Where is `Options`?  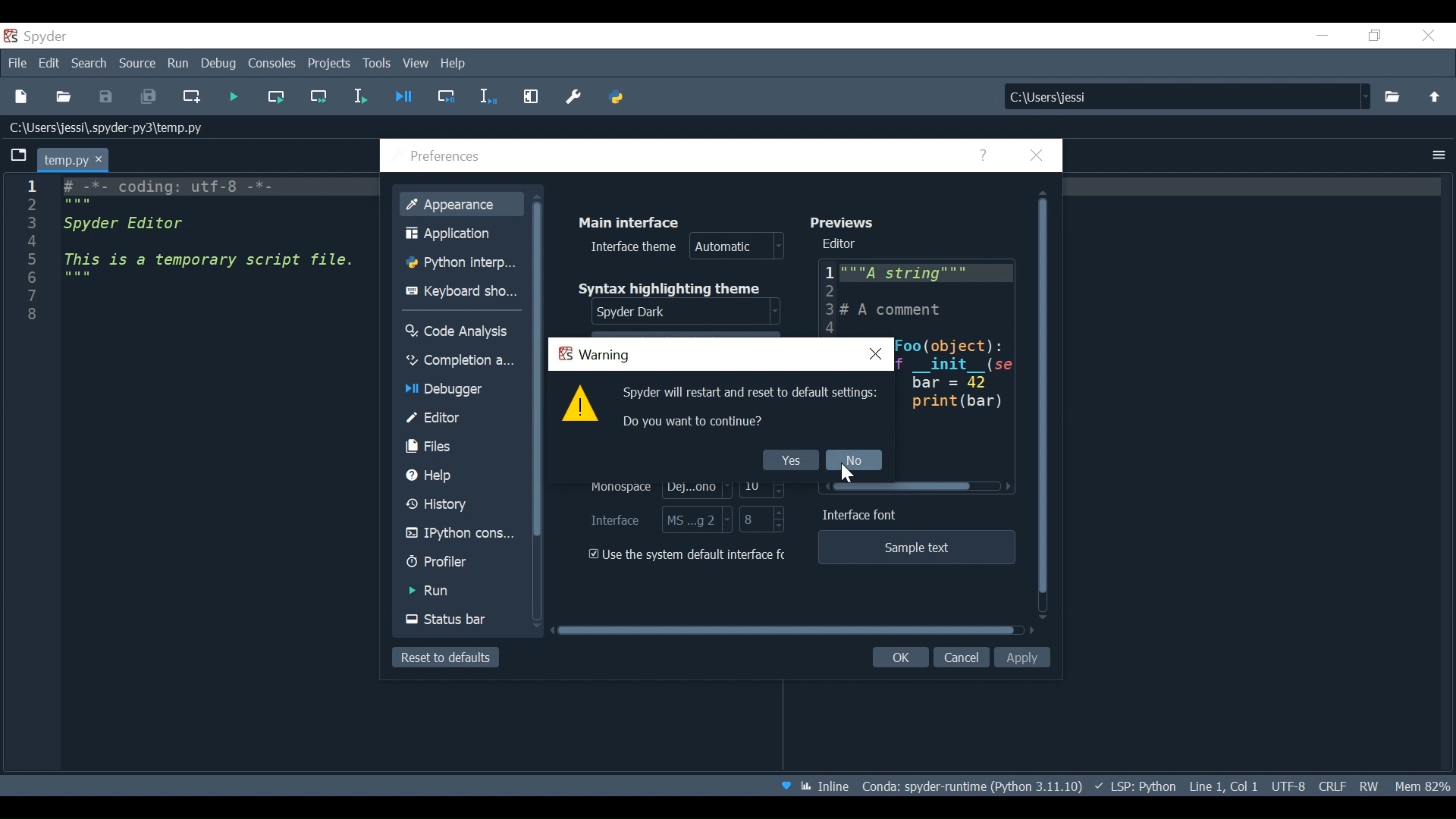
Options is located at coordinates (1441, 156).